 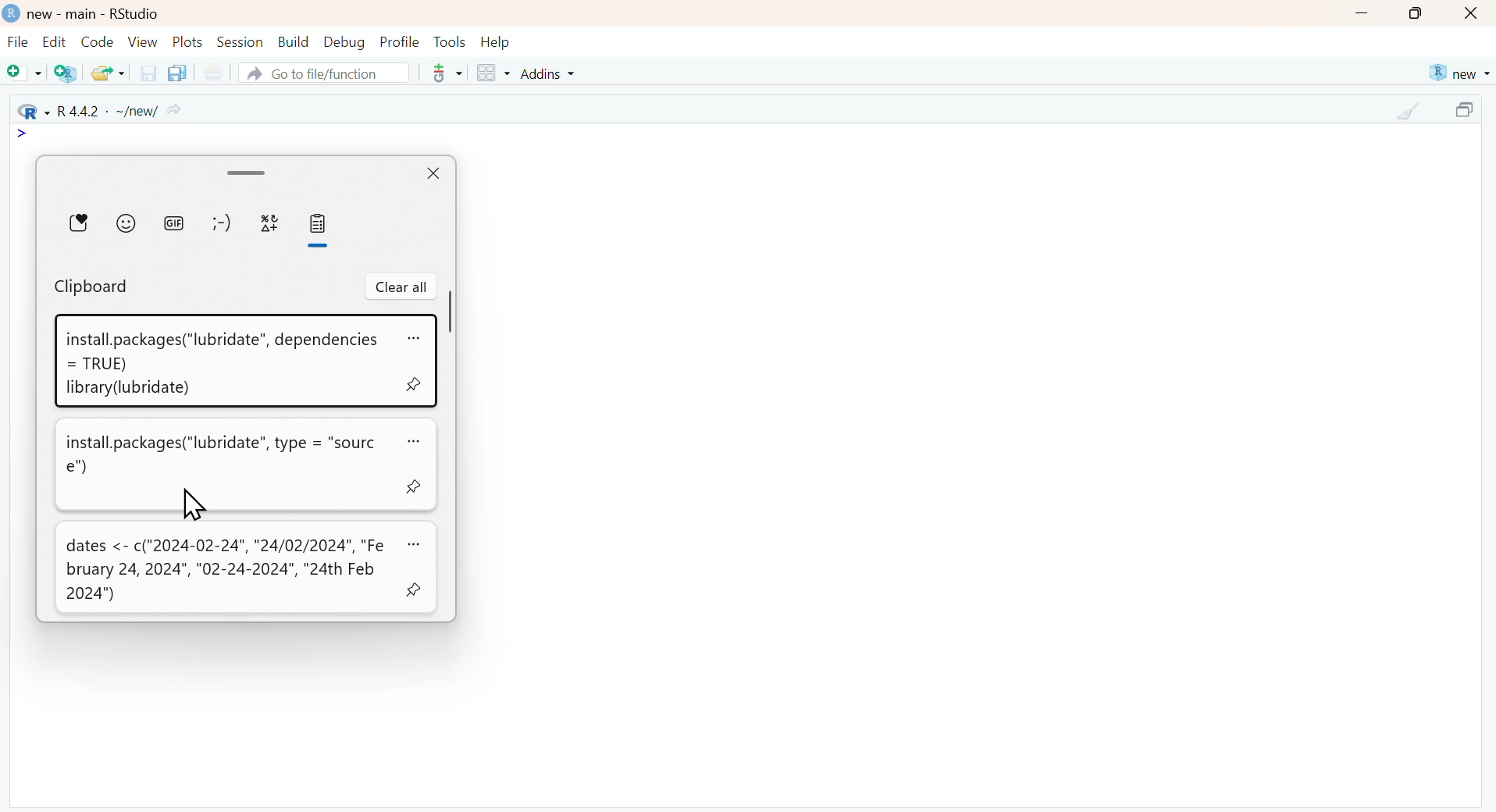 I want to click on Build, so click(x=293, y=42).